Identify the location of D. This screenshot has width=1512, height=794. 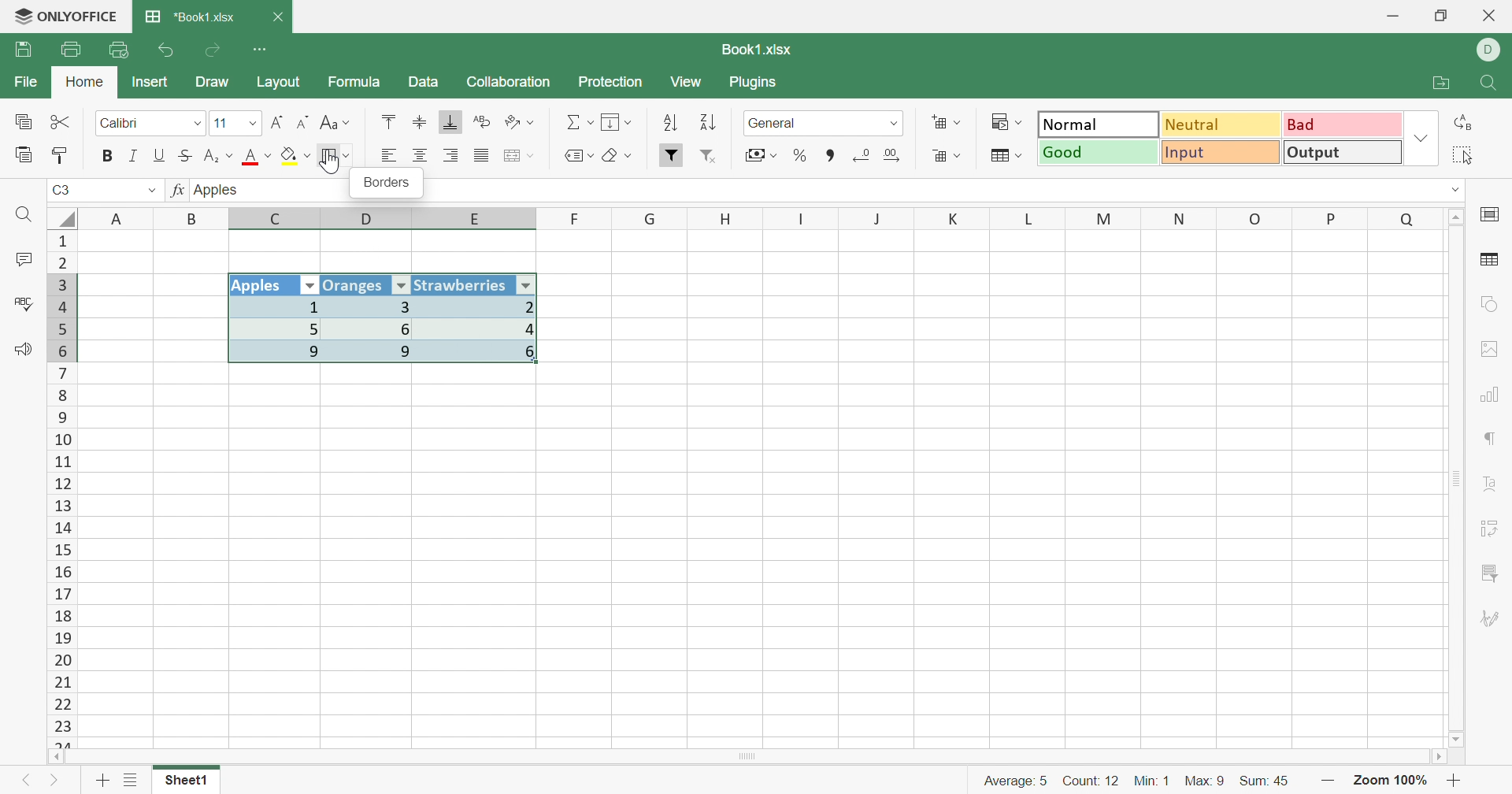
(1489, 50).